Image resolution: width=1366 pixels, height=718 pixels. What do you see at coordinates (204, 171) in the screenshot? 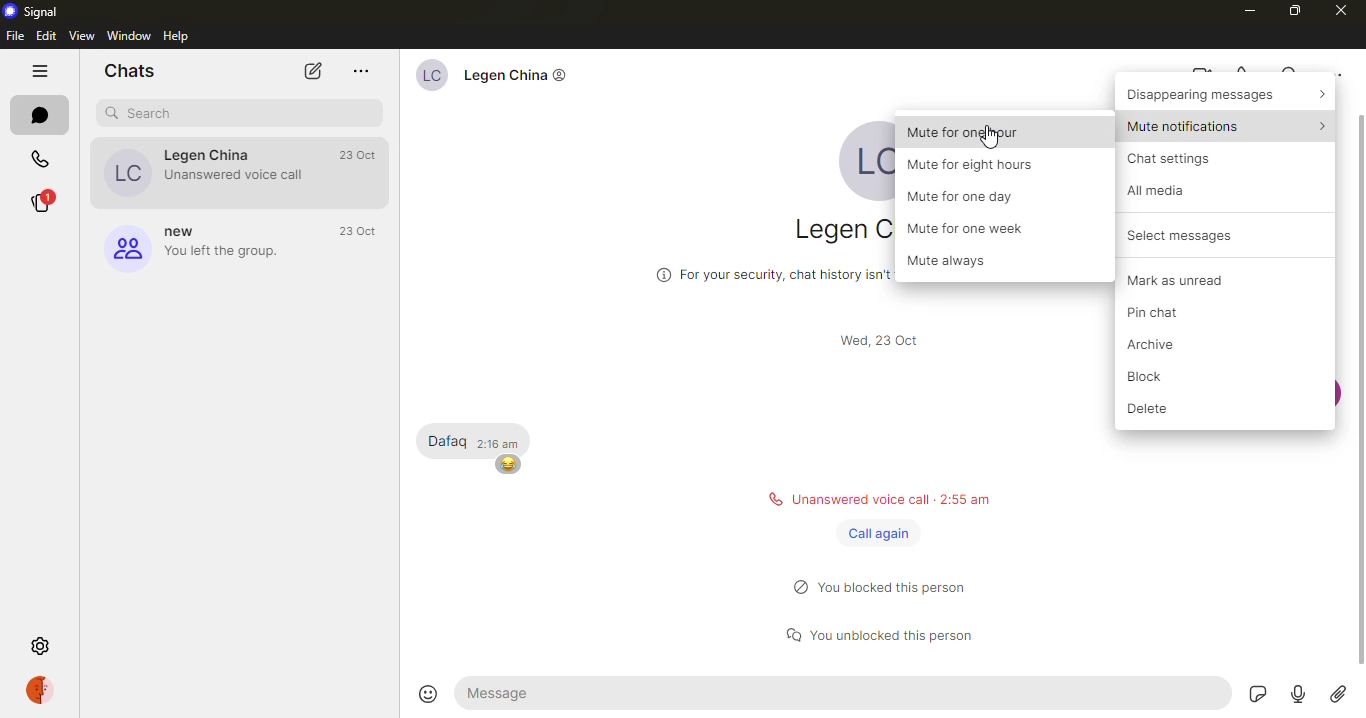
I see `contact` at bounding box center [204, 171].